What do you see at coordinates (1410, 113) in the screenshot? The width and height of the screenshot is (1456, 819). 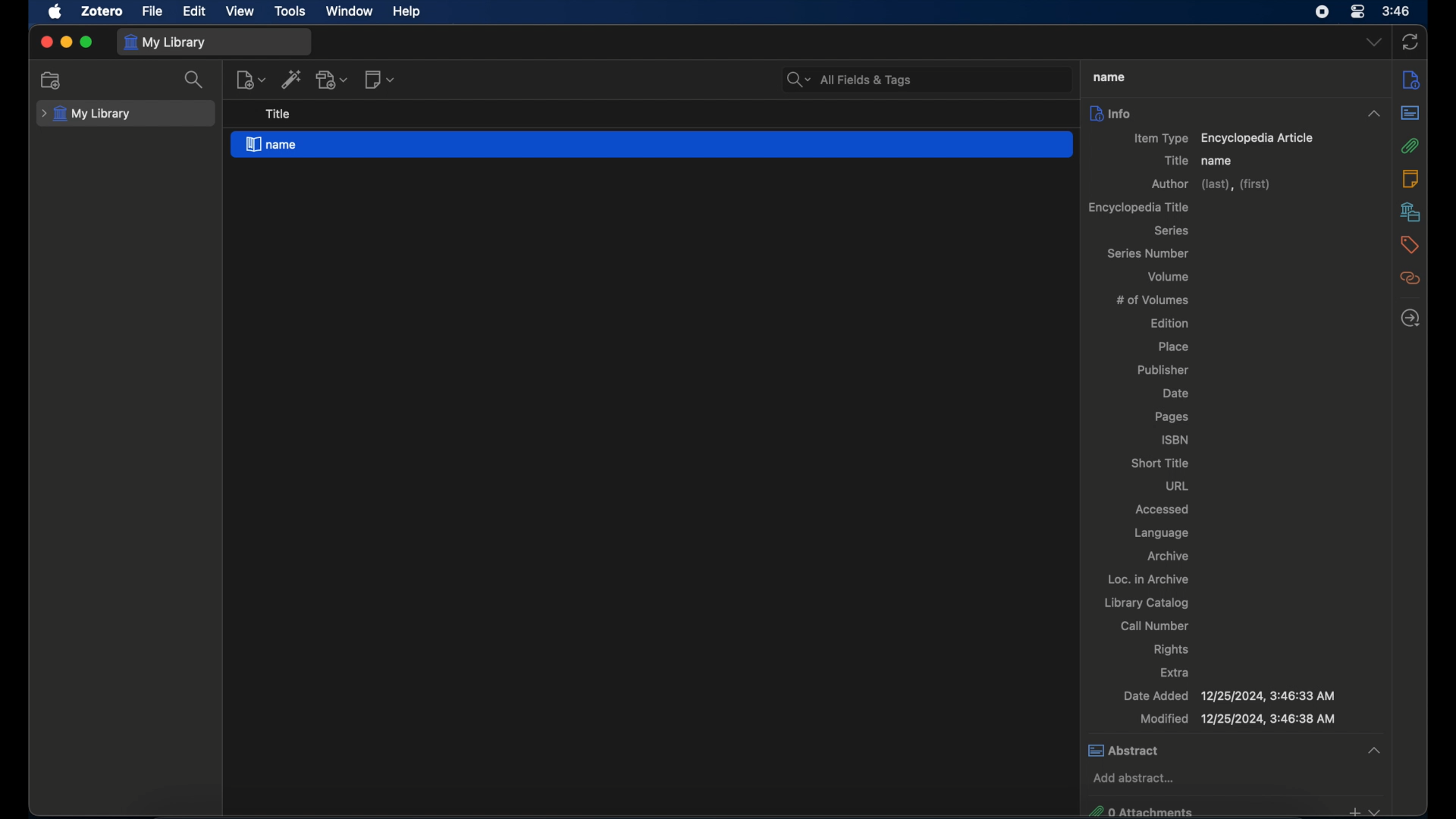 I see `abstract` at bounding box center [1410, 113].